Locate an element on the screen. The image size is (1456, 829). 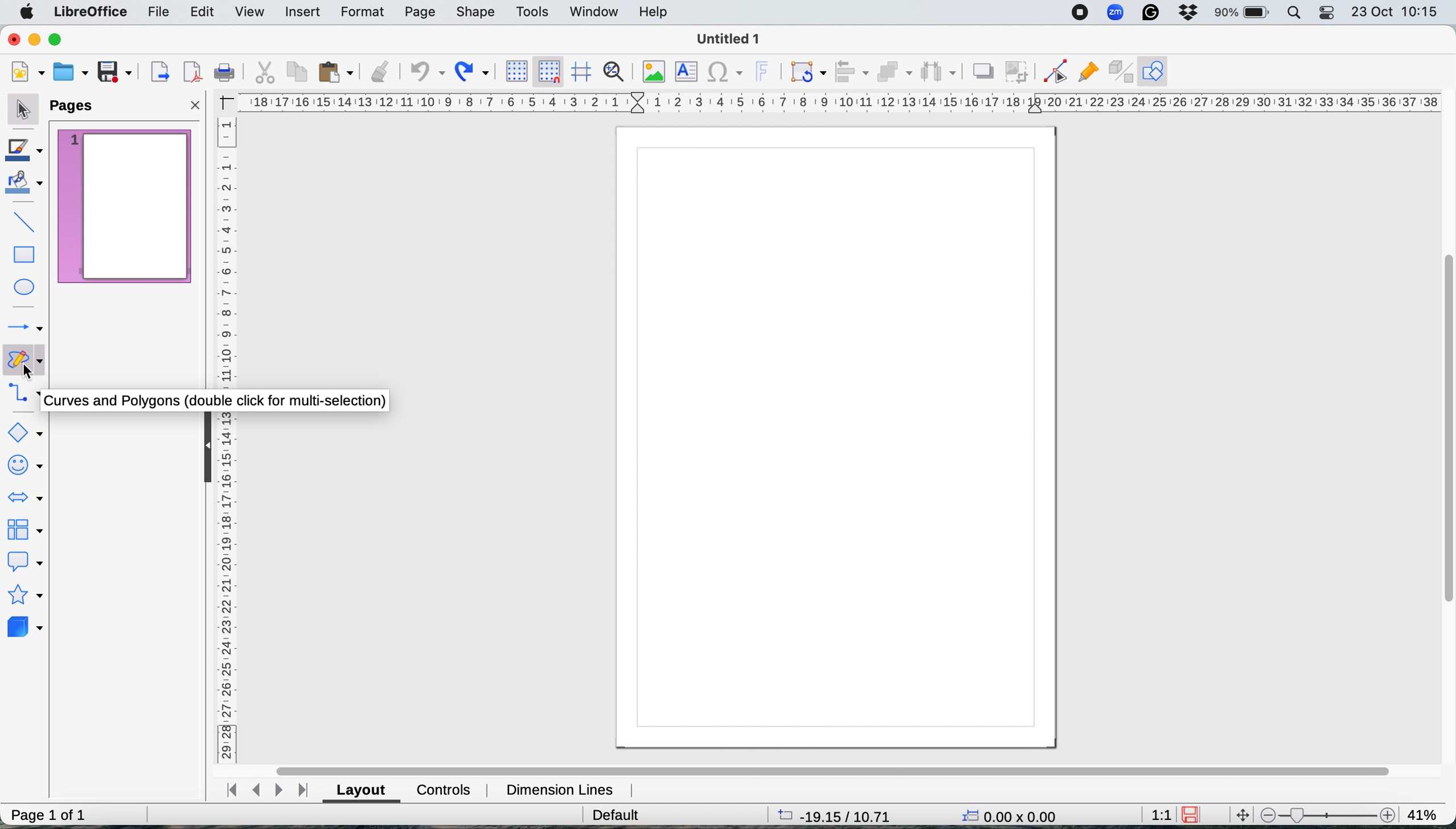
flowchart is located at coordinates (27, 532).